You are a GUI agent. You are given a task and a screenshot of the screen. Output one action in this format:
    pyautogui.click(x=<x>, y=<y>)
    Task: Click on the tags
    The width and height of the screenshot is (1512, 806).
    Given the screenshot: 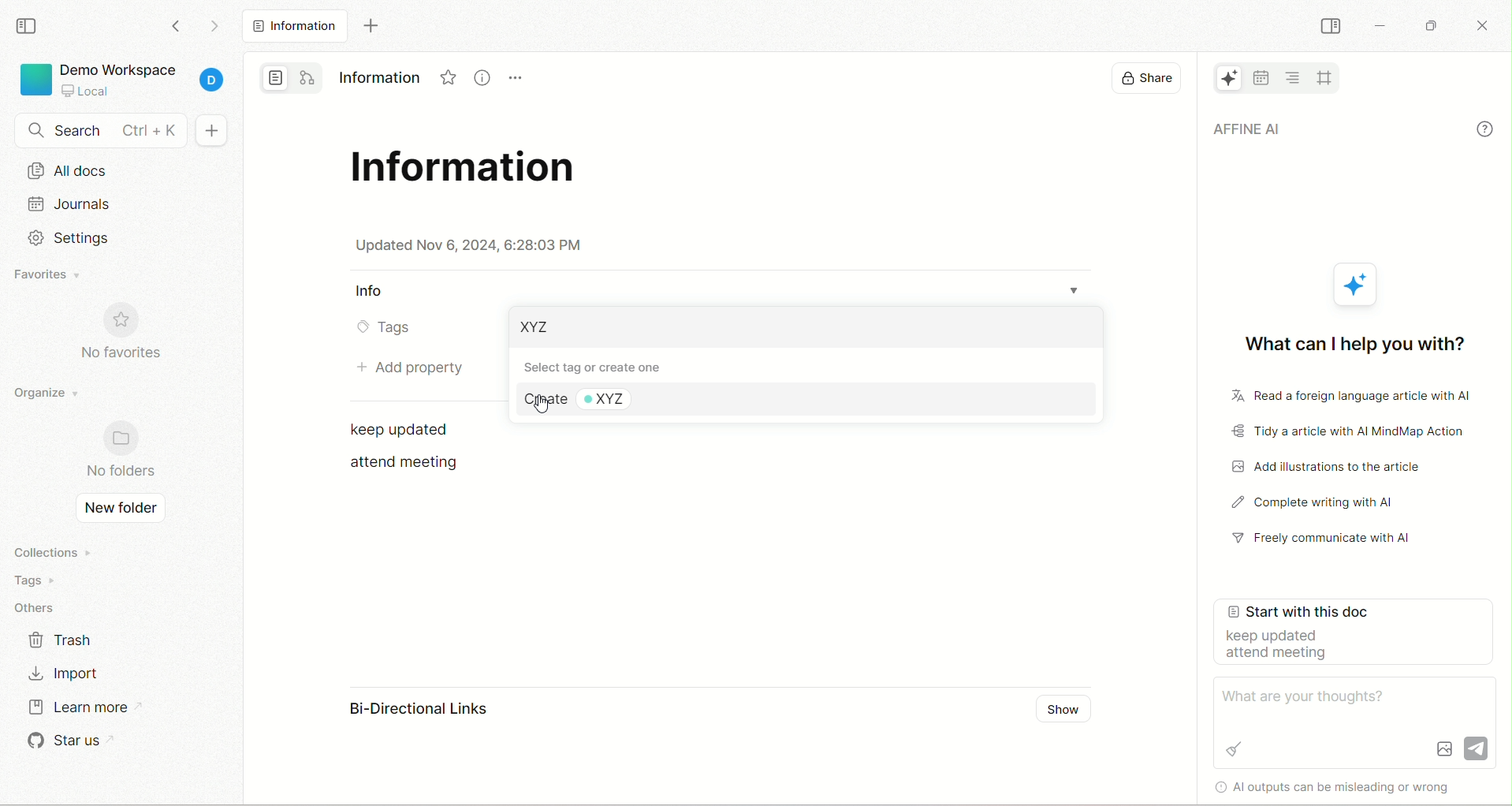 What is the action you would take?
    pyautogui.click(x=43, y=578)
    